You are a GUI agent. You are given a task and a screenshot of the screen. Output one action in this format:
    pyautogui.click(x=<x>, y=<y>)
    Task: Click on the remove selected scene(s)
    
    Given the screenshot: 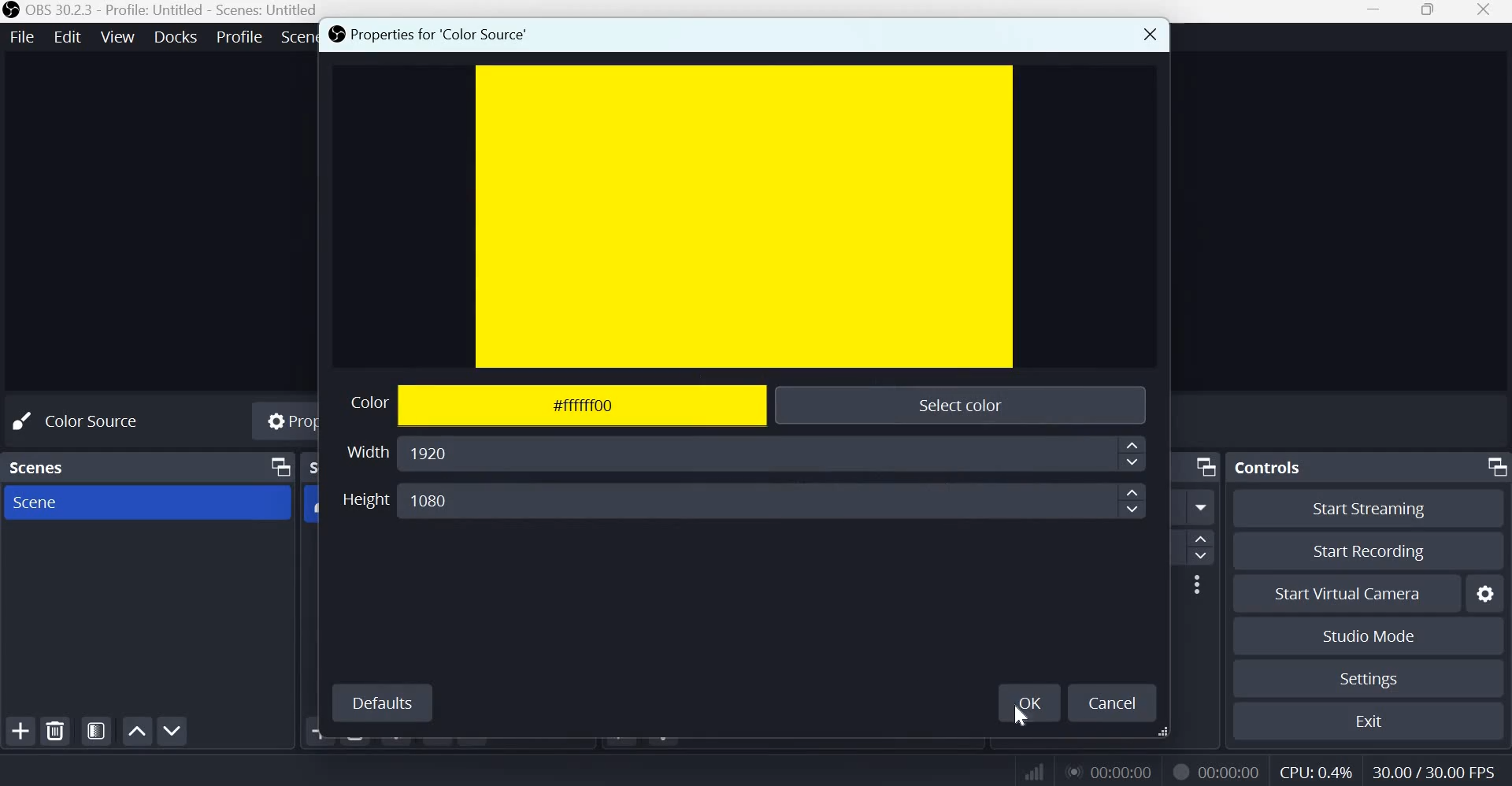 What is the action you would take?
    pyautogui.click(x=58, y=731)
    